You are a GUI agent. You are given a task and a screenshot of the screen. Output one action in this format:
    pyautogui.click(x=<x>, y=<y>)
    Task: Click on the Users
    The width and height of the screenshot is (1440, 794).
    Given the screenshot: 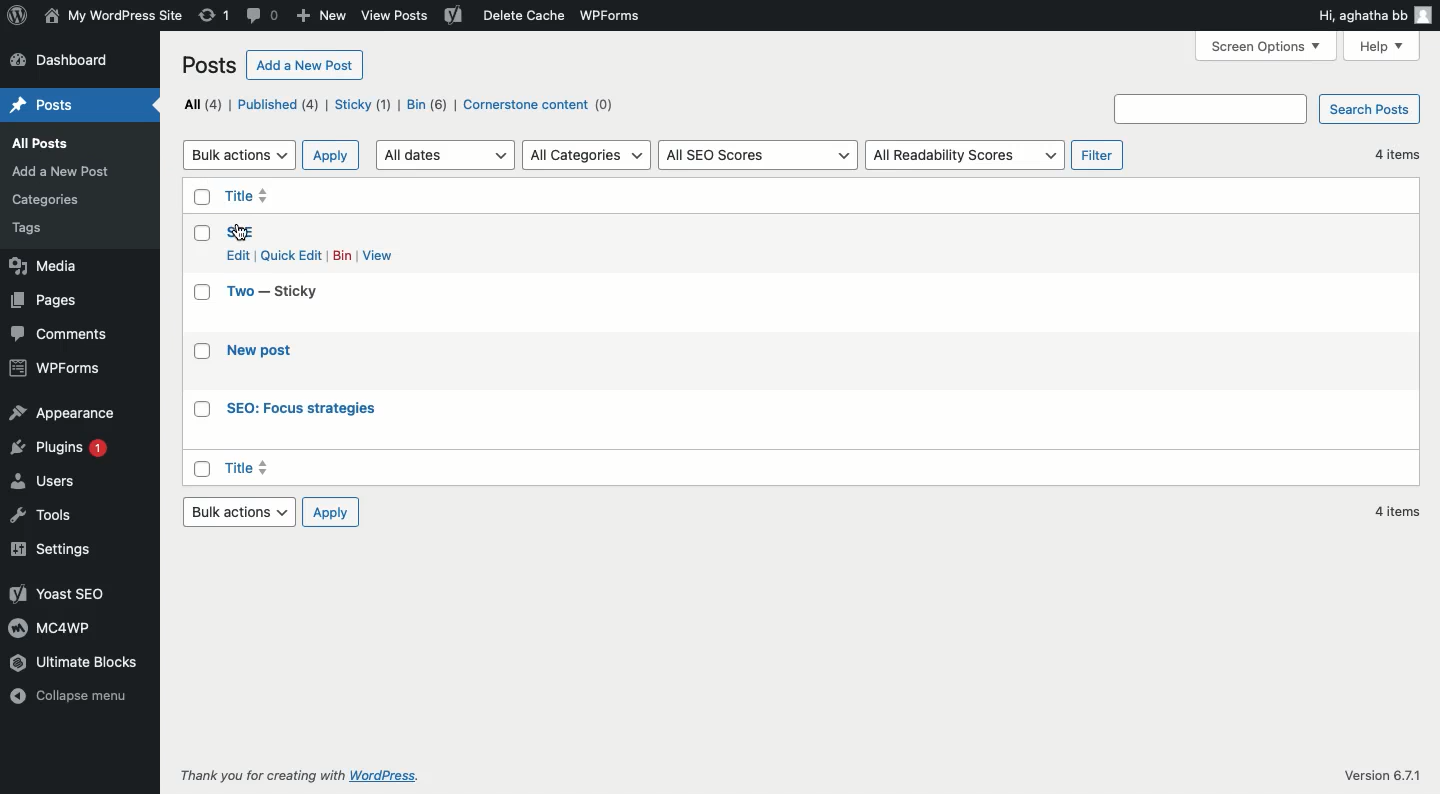 What is the action you would take?
    pyautogui.click(x=51, y=486)
    